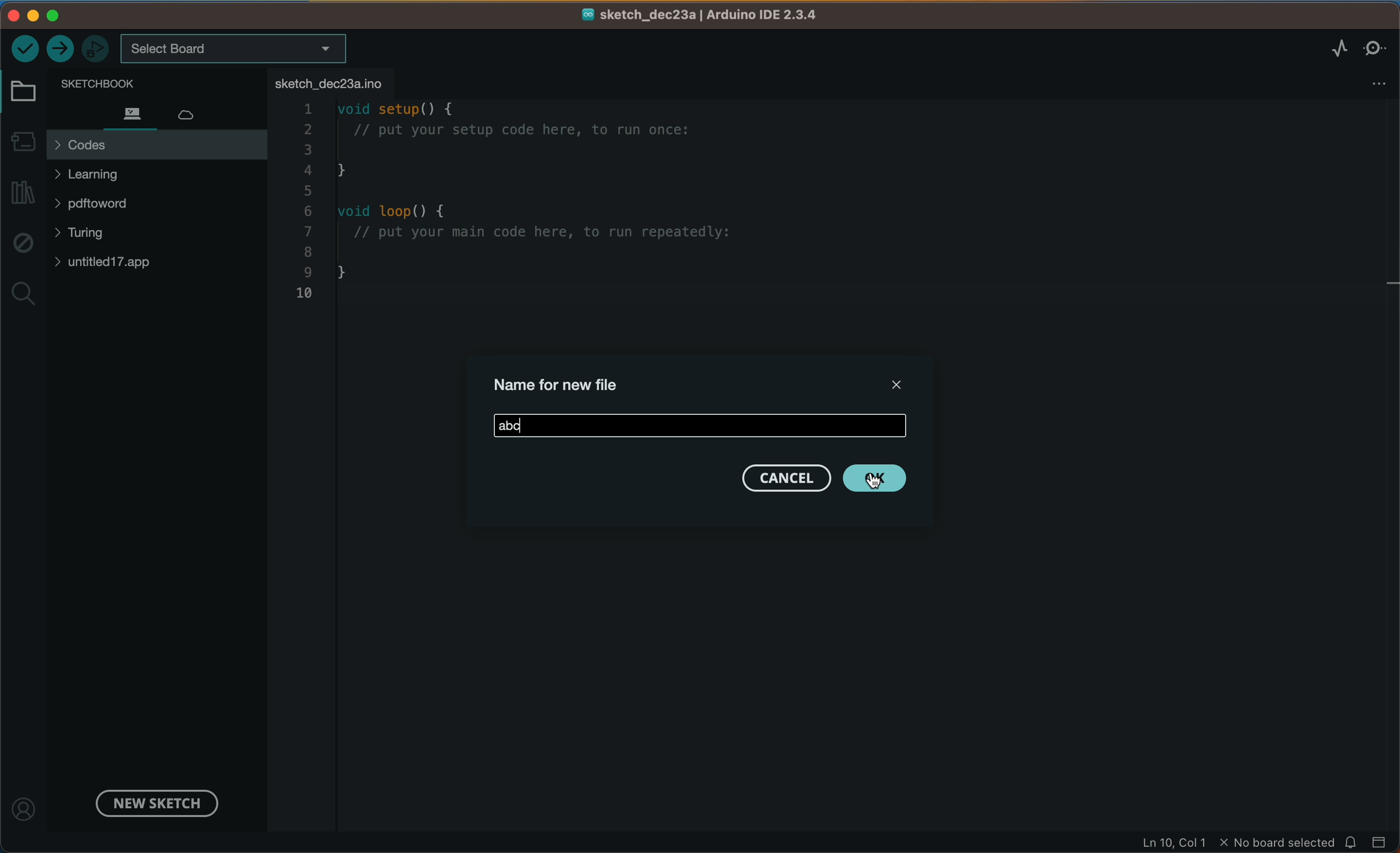 This screenshot has width=1400, height=853. Describe the element at coordinates (784, 478) in the screenshot. I see `cancel` at that location.